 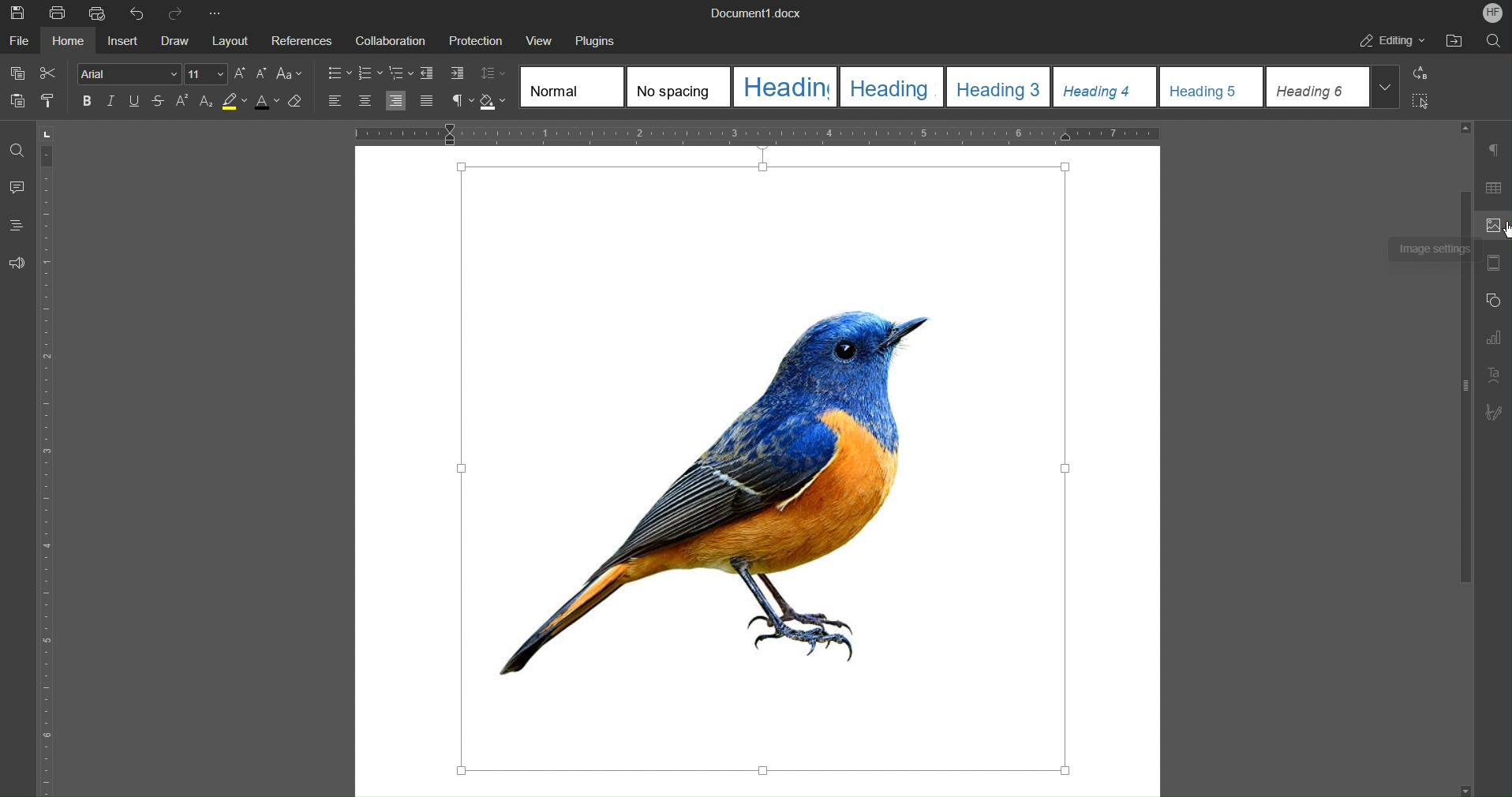 What do you see at coordinates (1334, 87) in the screenshot?
I see `Heading 6` at bounding box center [1334, 87].